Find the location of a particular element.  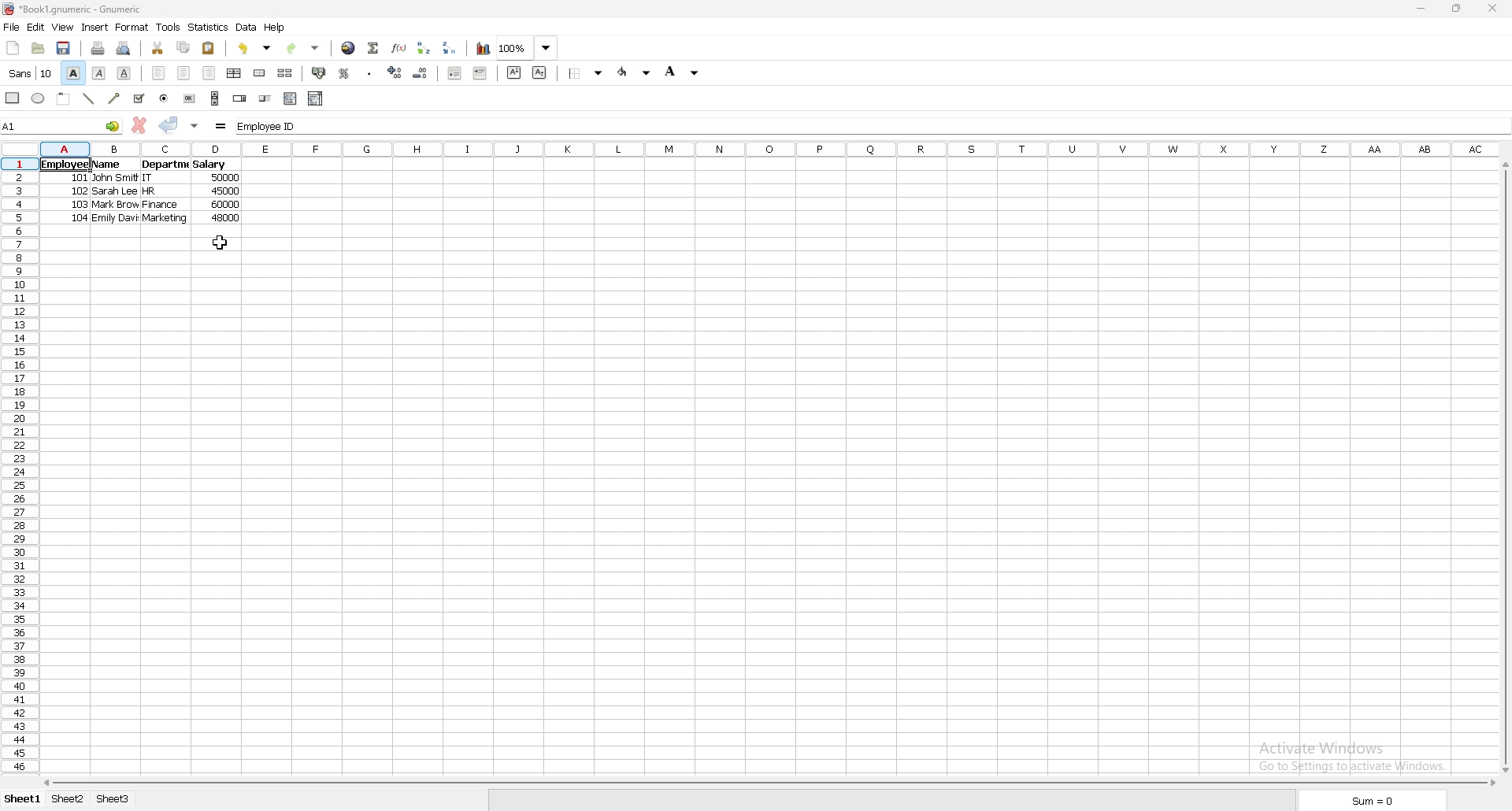

45000 is located at coordinates (227, 192).